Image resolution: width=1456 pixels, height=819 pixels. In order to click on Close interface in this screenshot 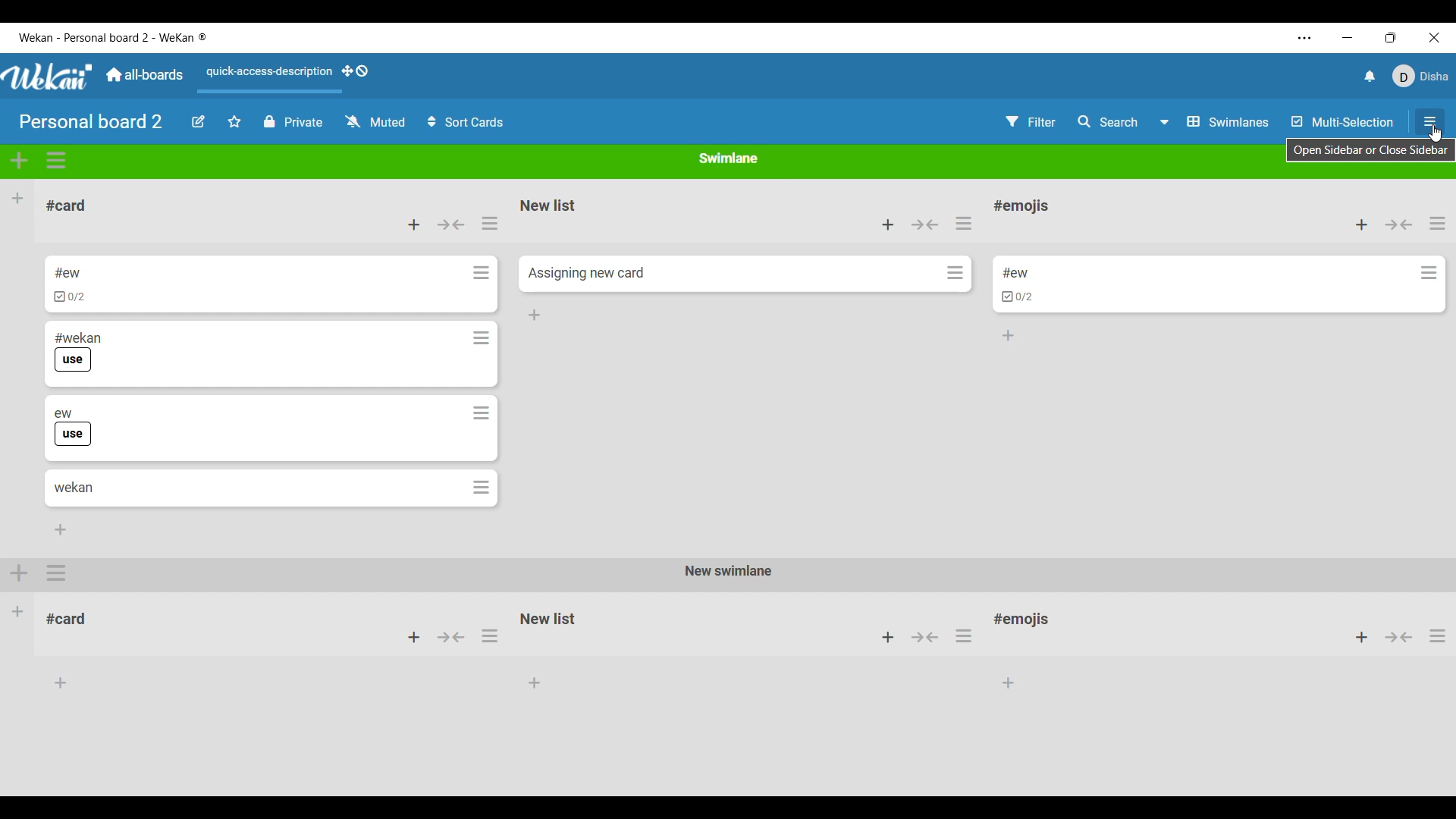, I will do `click(1435, 38)`.